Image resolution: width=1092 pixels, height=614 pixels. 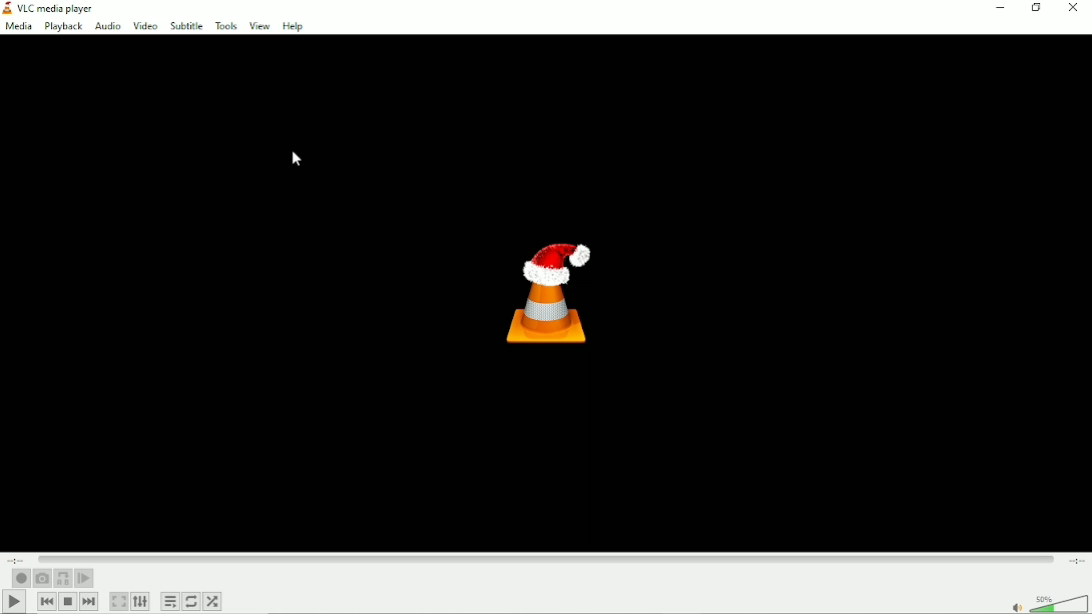 I want to click on Elapsed time, so click(x=14, y=561).